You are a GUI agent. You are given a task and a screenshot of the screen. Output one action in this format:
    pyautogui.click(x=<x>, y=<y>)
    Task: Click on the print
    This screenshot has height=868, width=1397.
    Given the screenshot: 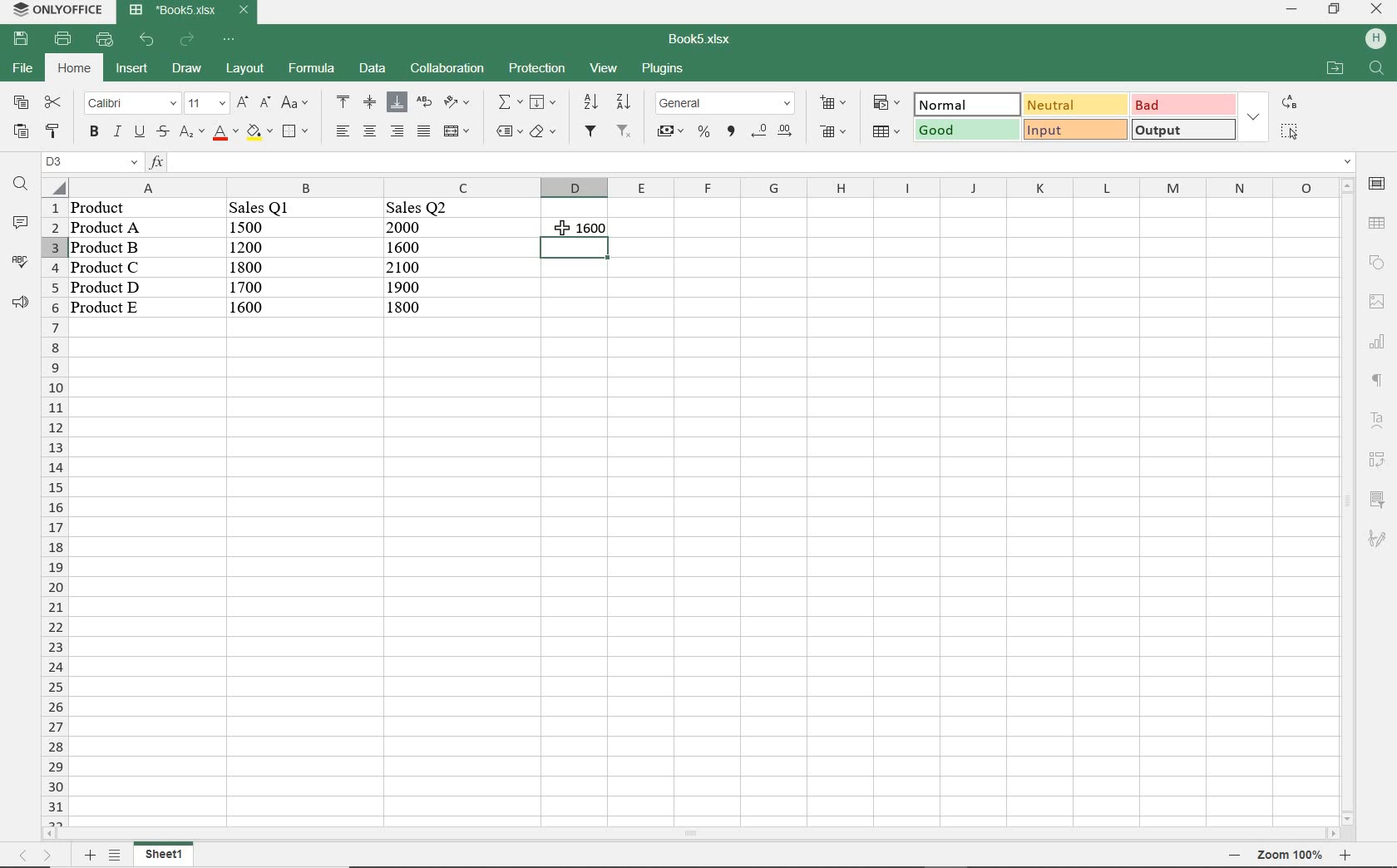 What is the action you would take?
    pyautogui.click(x=63, y=40)
    